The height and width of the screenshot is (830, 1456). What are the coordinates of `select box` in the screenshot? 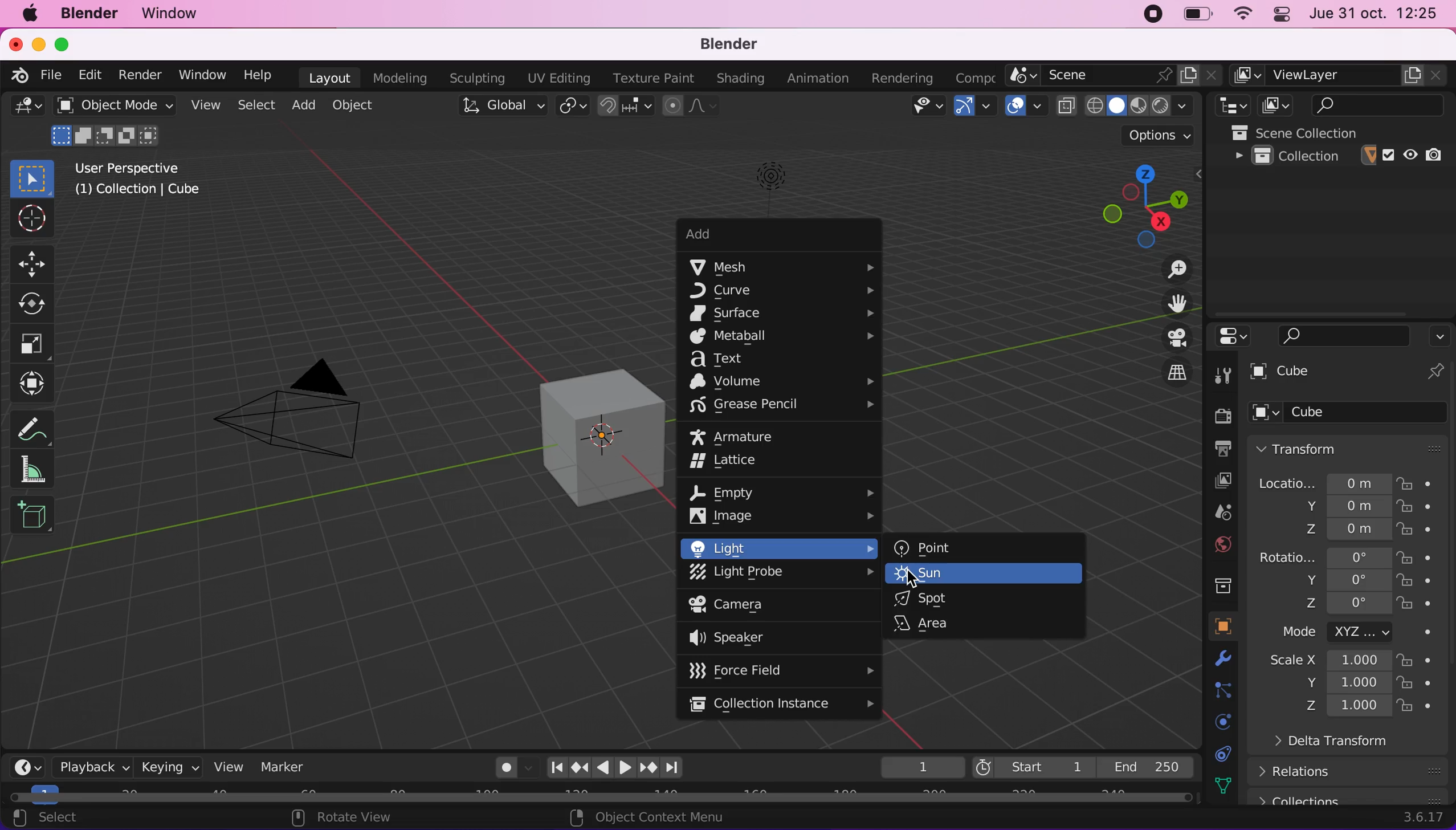 It's located at (31, 176).